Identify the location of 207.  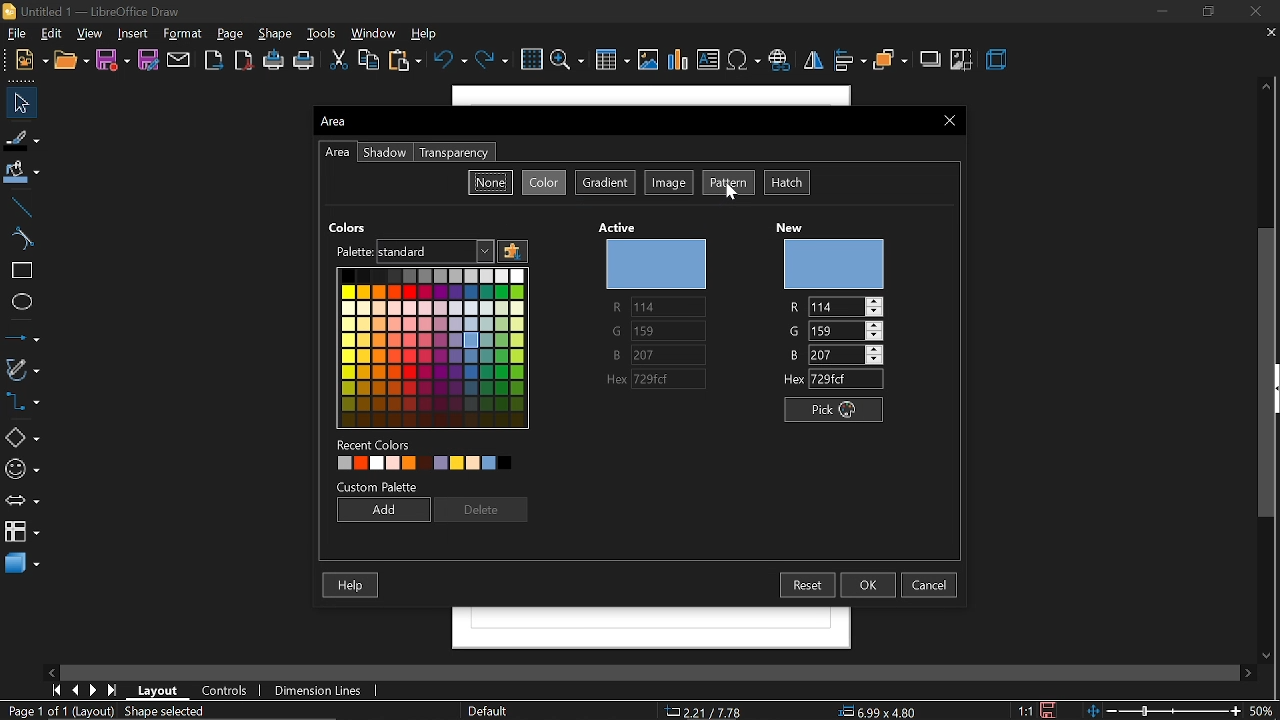
(845, 354).